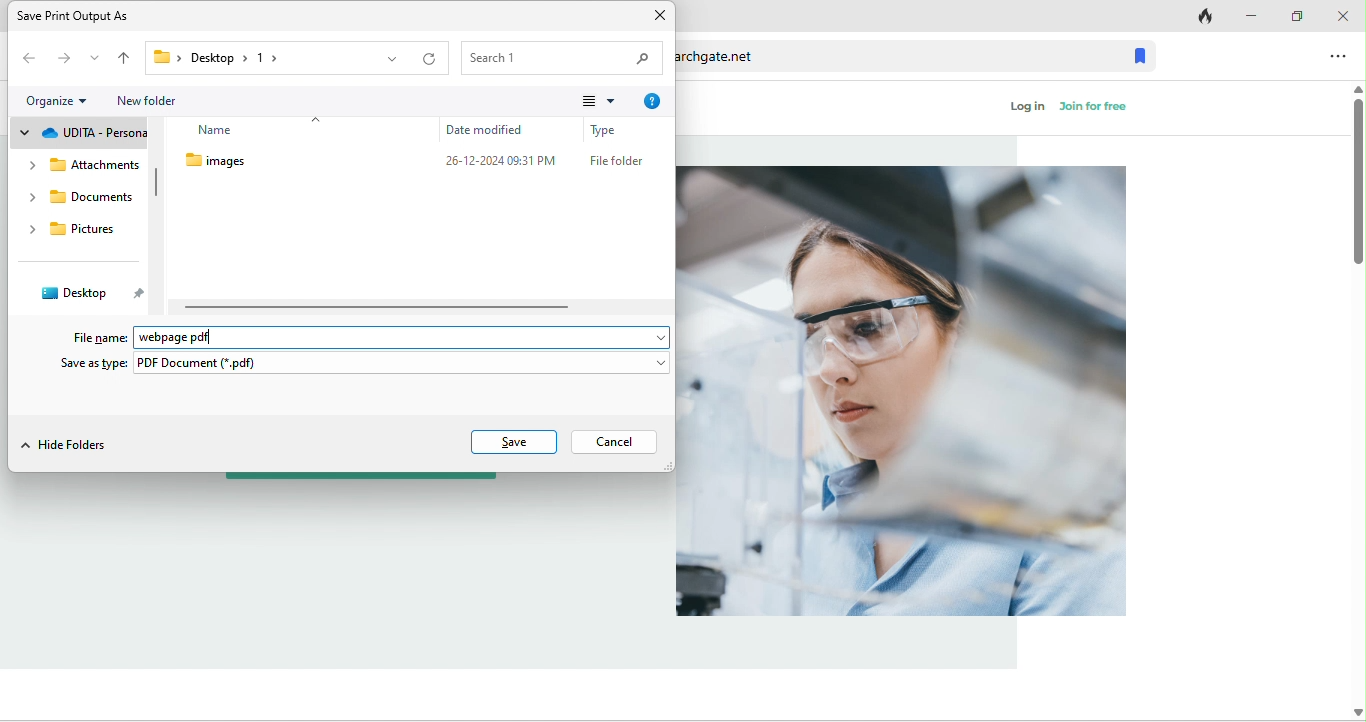  Describe the element at coordinates (1197, 14) in the screenshot. I see `track tab` at that location.